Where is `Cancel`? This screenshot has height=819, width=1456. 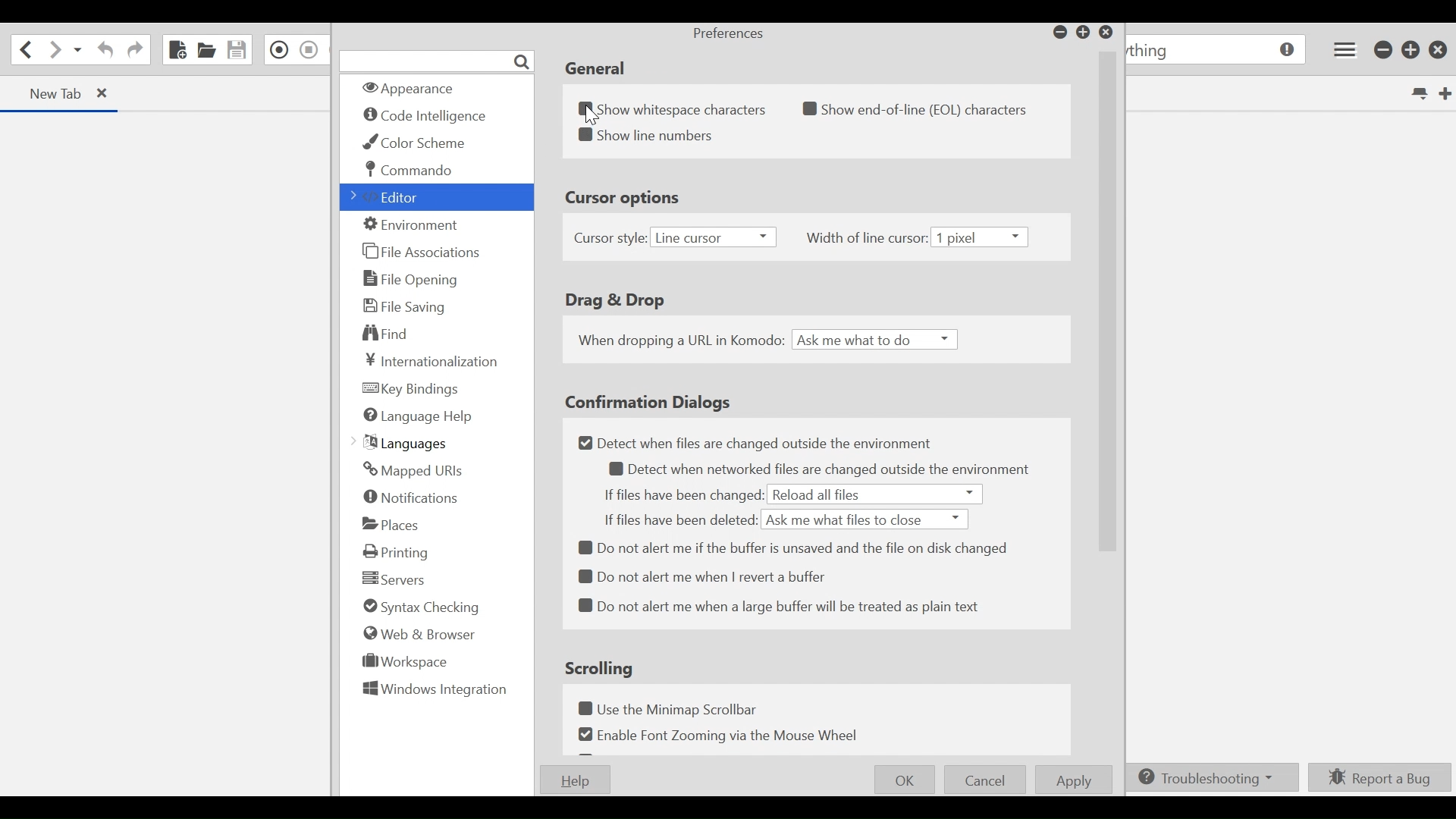 Cancel is located at coordinates (981, 779).